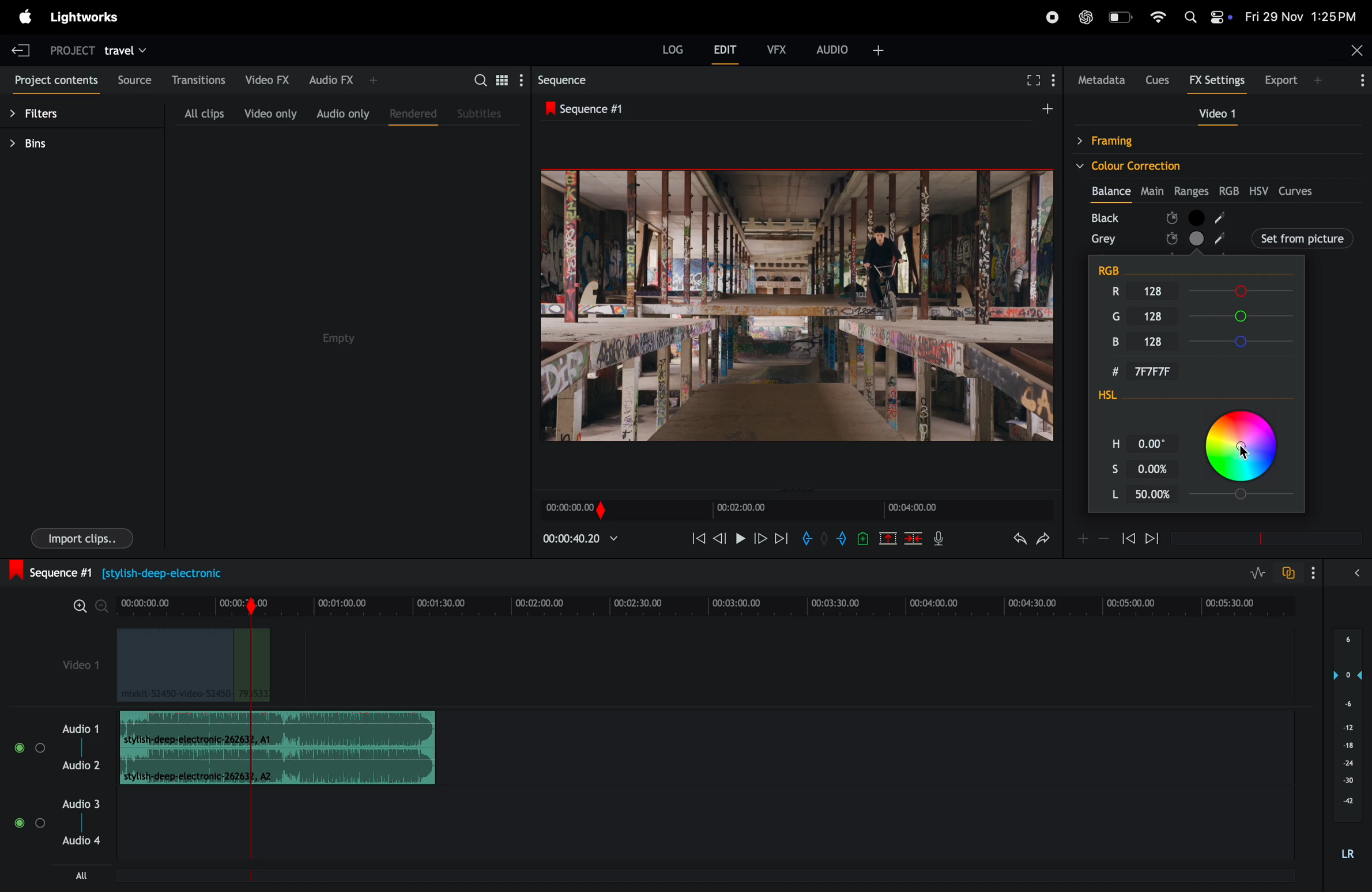 The width and height of the screenshot is (1372, 892). What do you see at coordinates (42, 144) in the screenshot?
I see `bins` at bounding box center [42, 144].